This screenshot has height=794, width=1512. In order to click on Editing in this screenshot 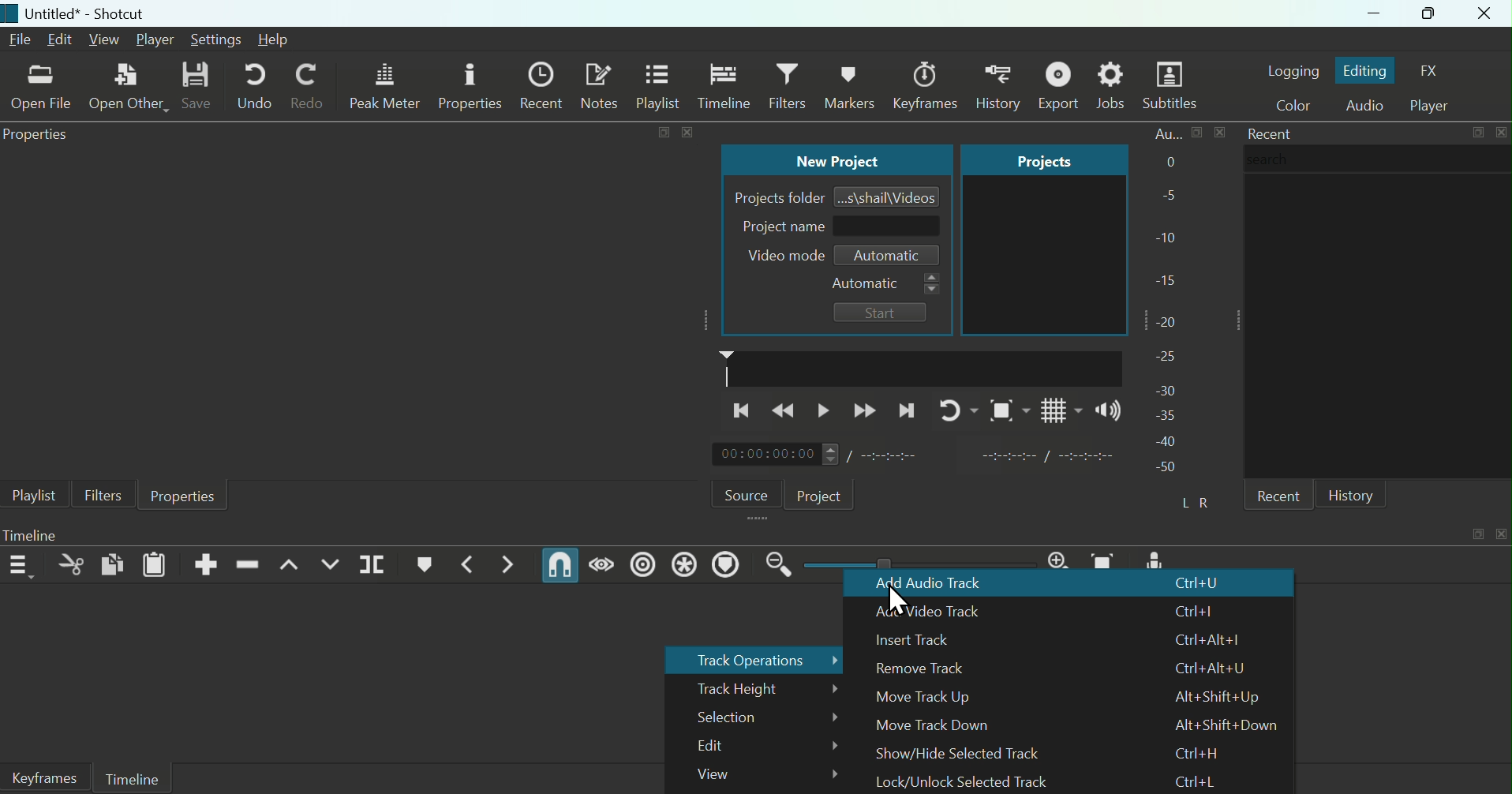, I will do `click(1367, 69)`.